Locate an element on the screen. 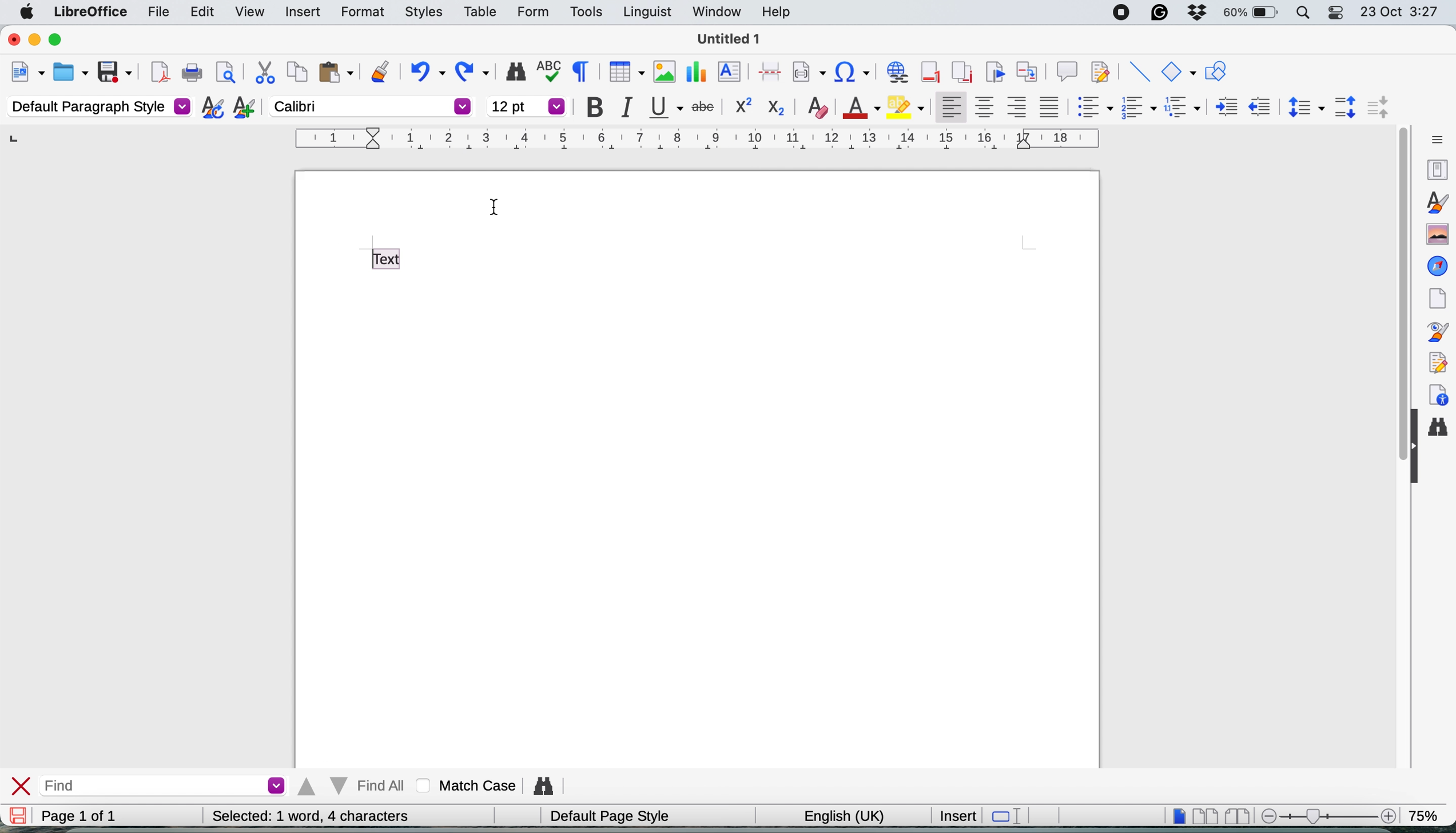 The width and height of the screenshot is (1456, 833). insert field is located at coordinates (810, 71).